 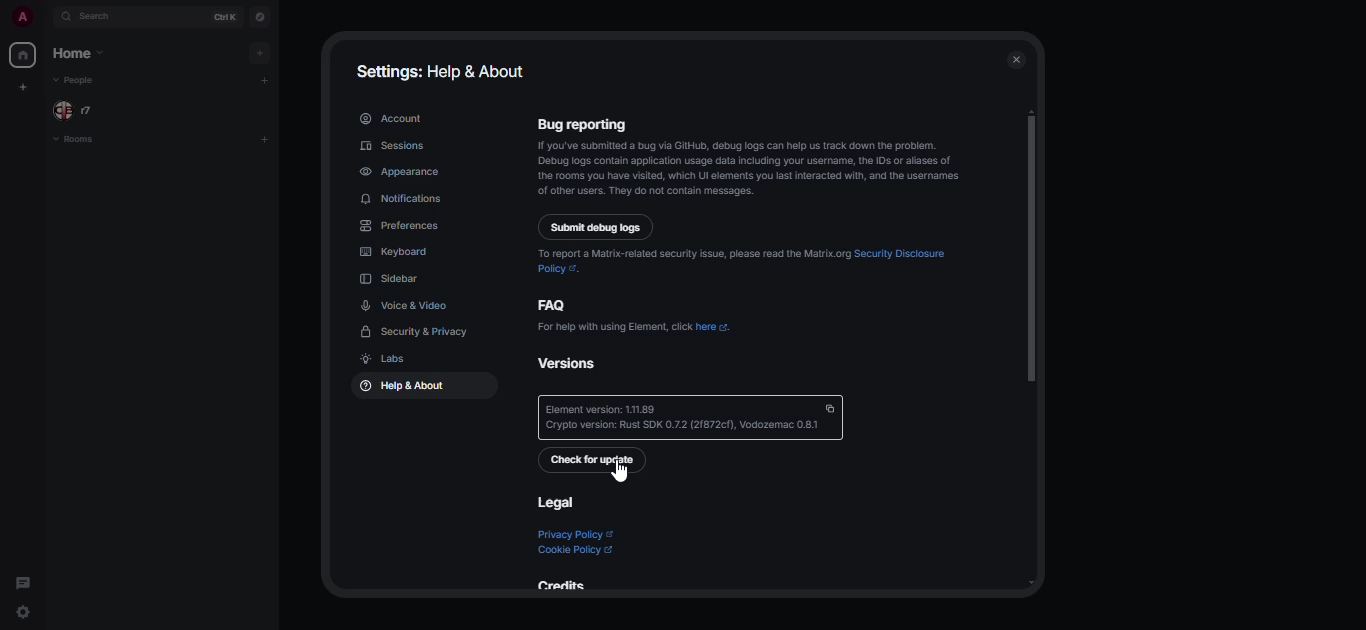 I want to click on threads, so click(x=23, y=581).